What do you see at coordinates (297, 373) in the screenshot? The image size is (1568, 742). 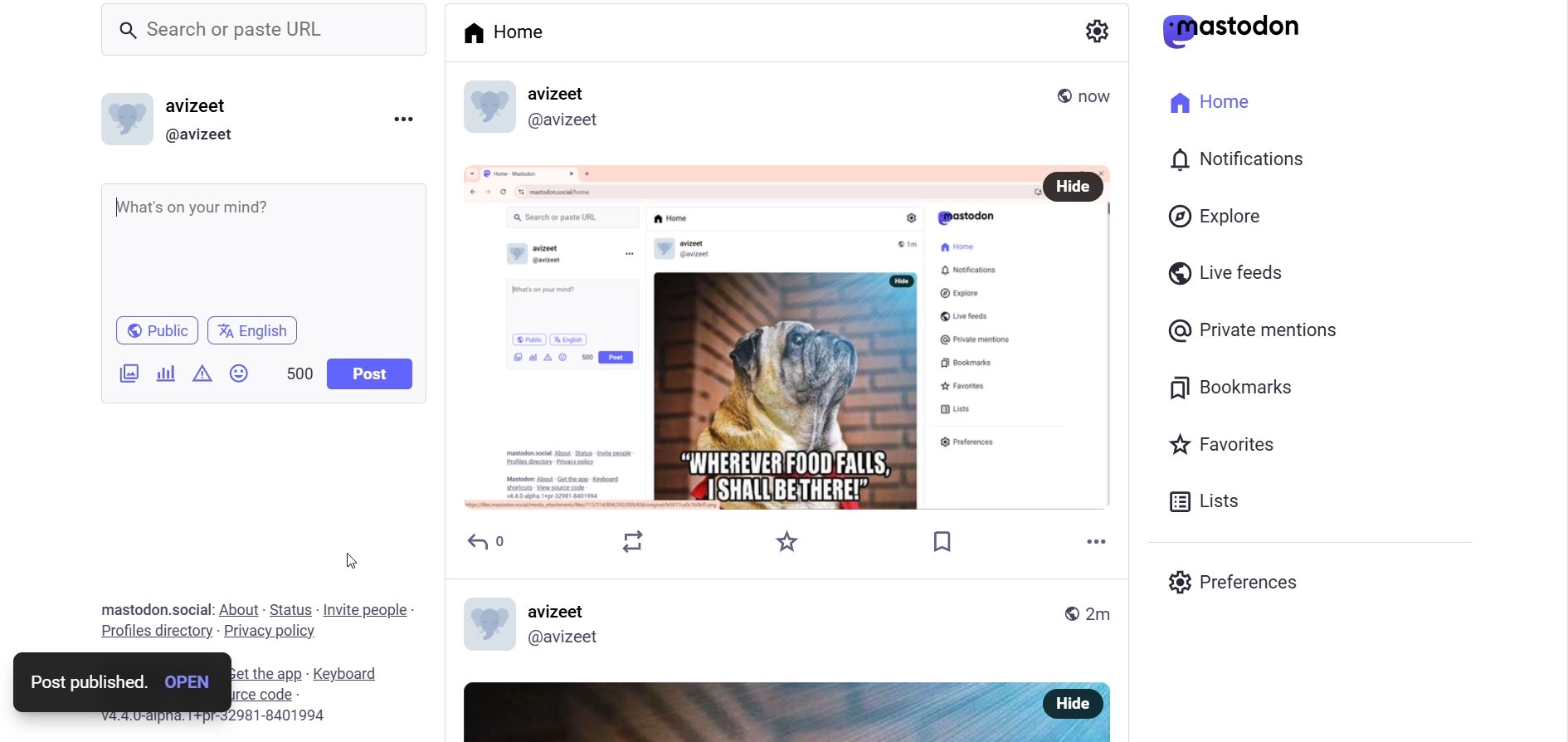 I see `word limit` at bounding box center [297, 373].